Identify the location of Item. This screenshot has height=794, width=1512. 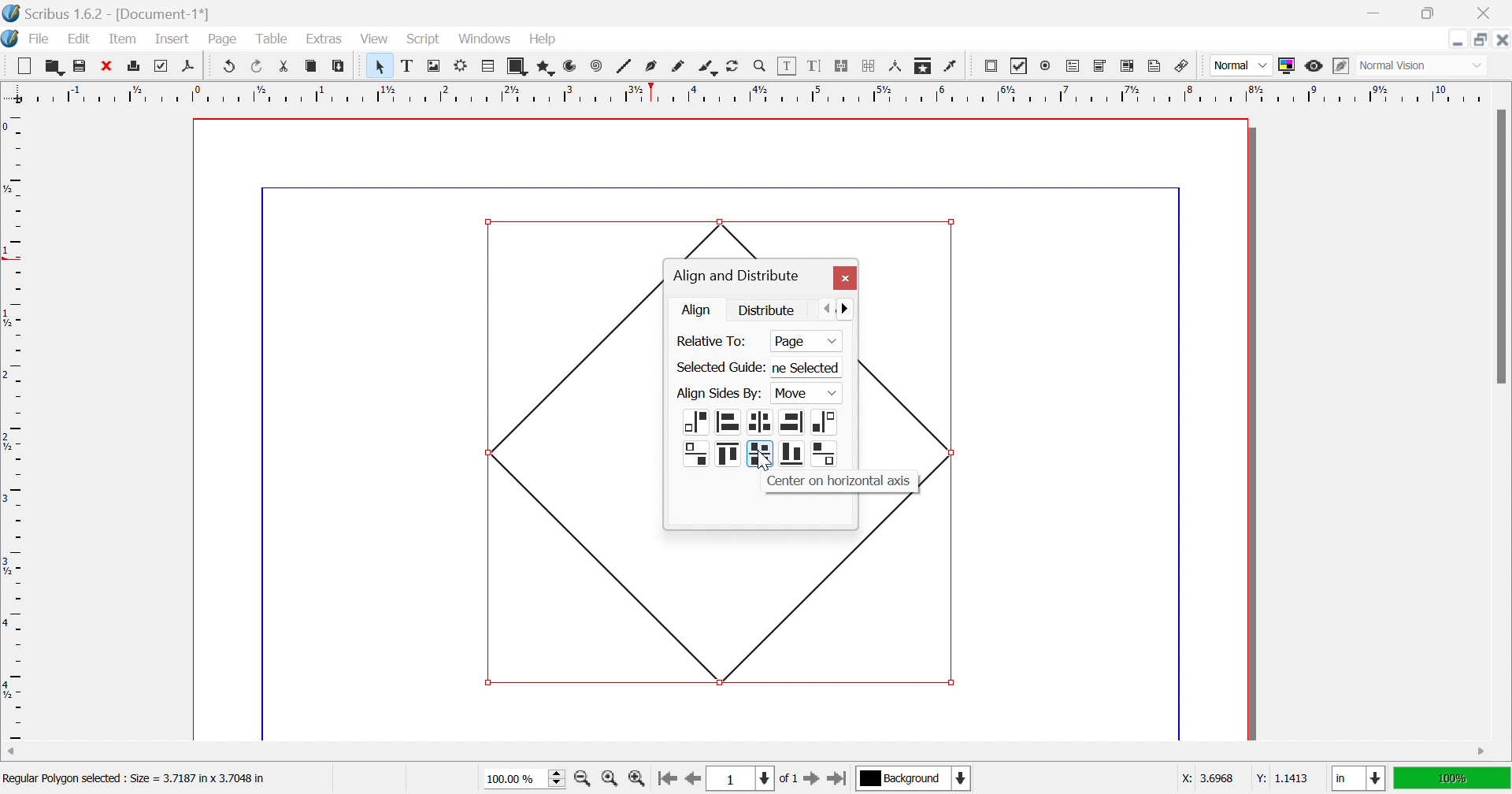
(123, 38).